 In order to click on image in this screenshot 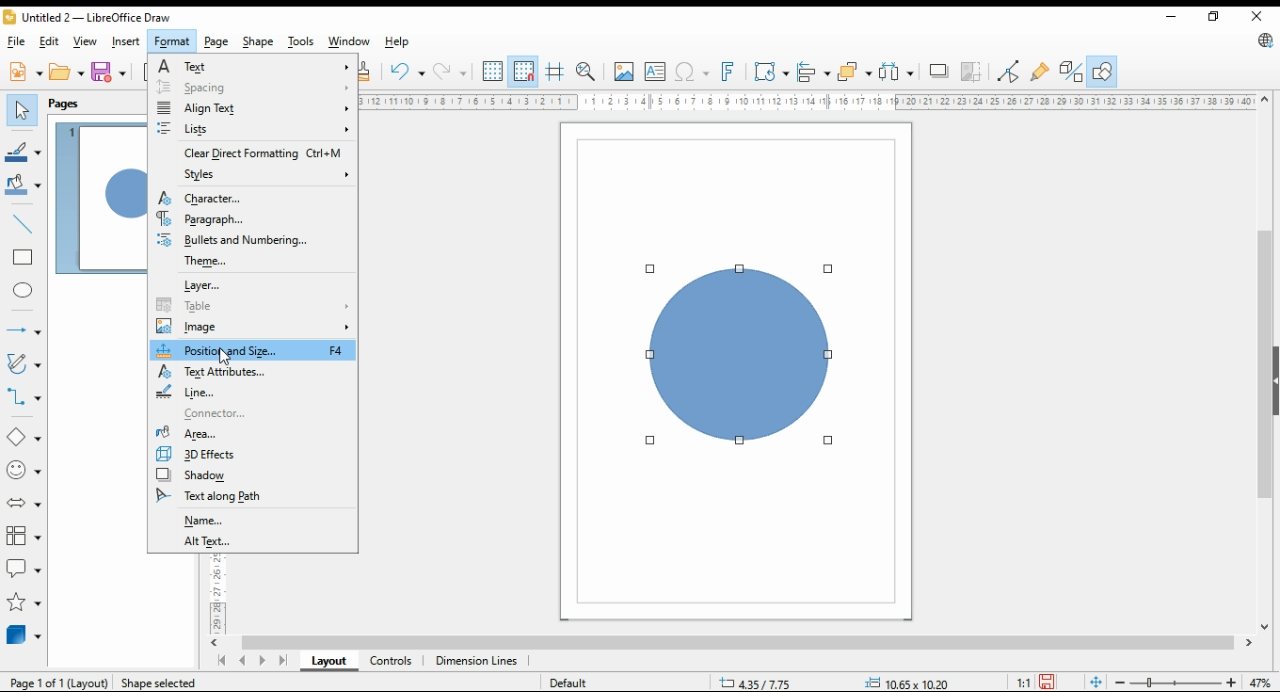, I will do `click(252, 326)`.